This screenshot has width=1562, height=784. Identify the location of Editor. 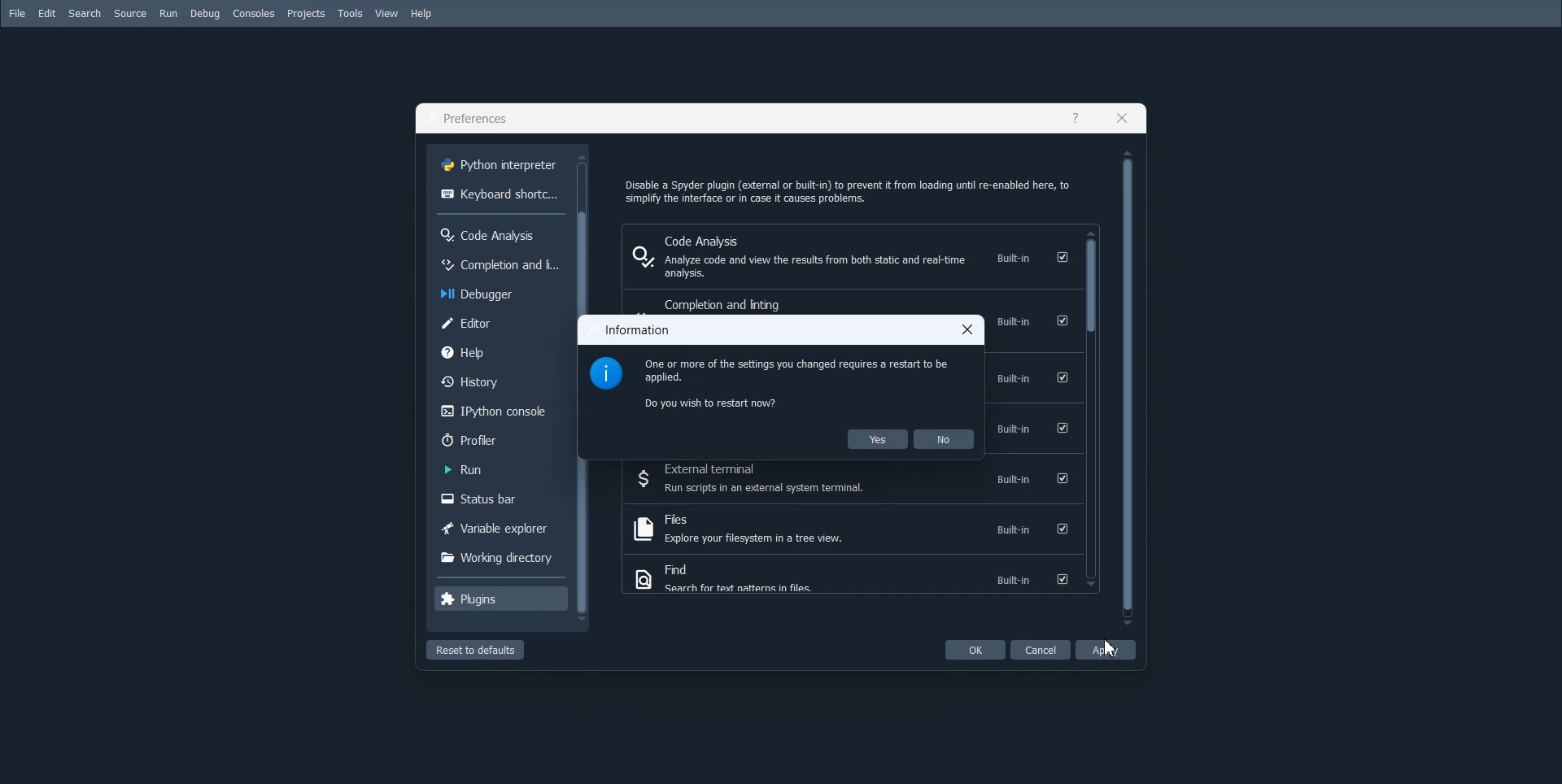
(499, 322).